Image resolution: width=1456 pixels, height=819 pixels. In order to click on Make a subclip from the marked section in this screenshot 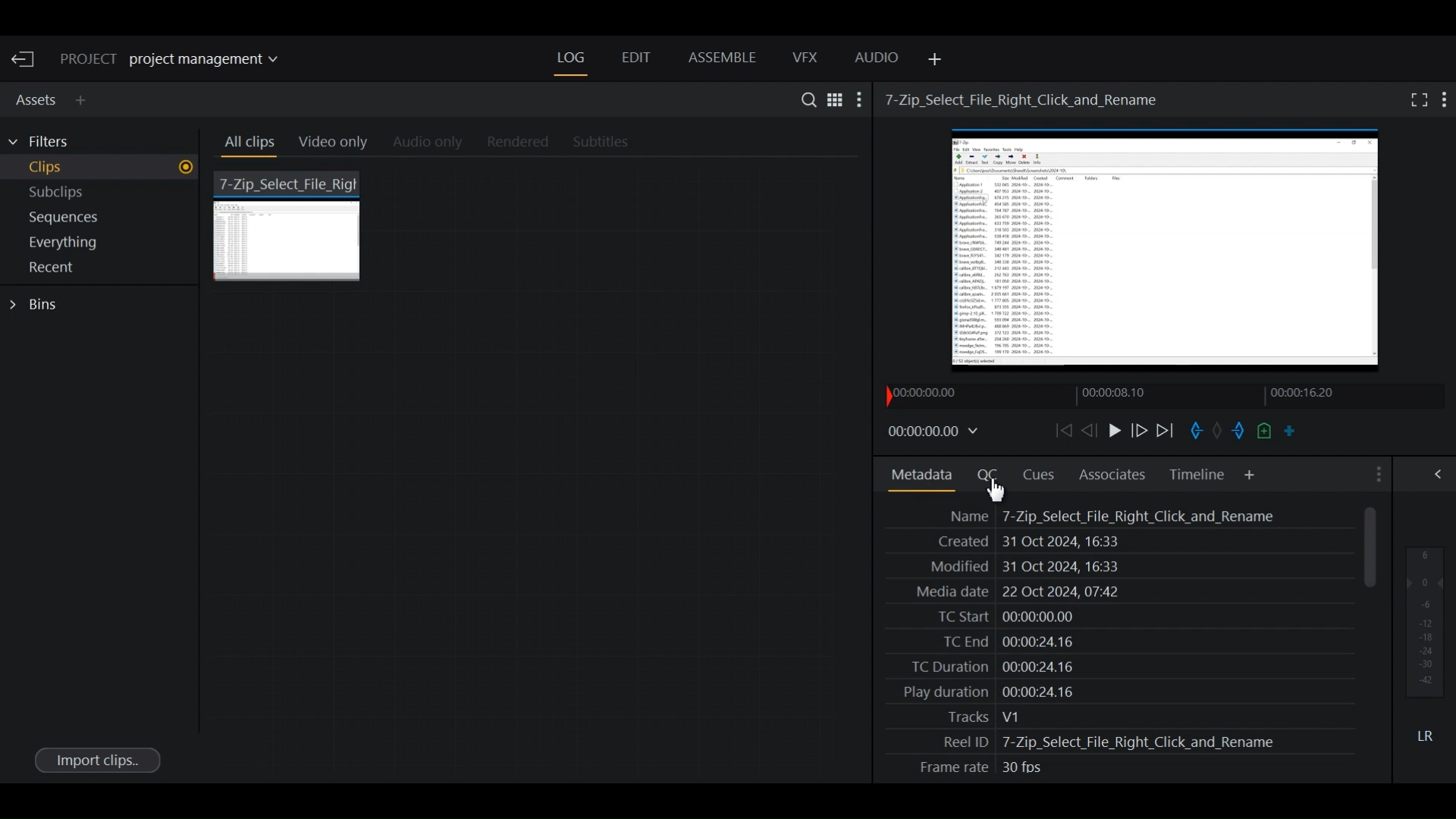, I will do `click(1290, 430)`.